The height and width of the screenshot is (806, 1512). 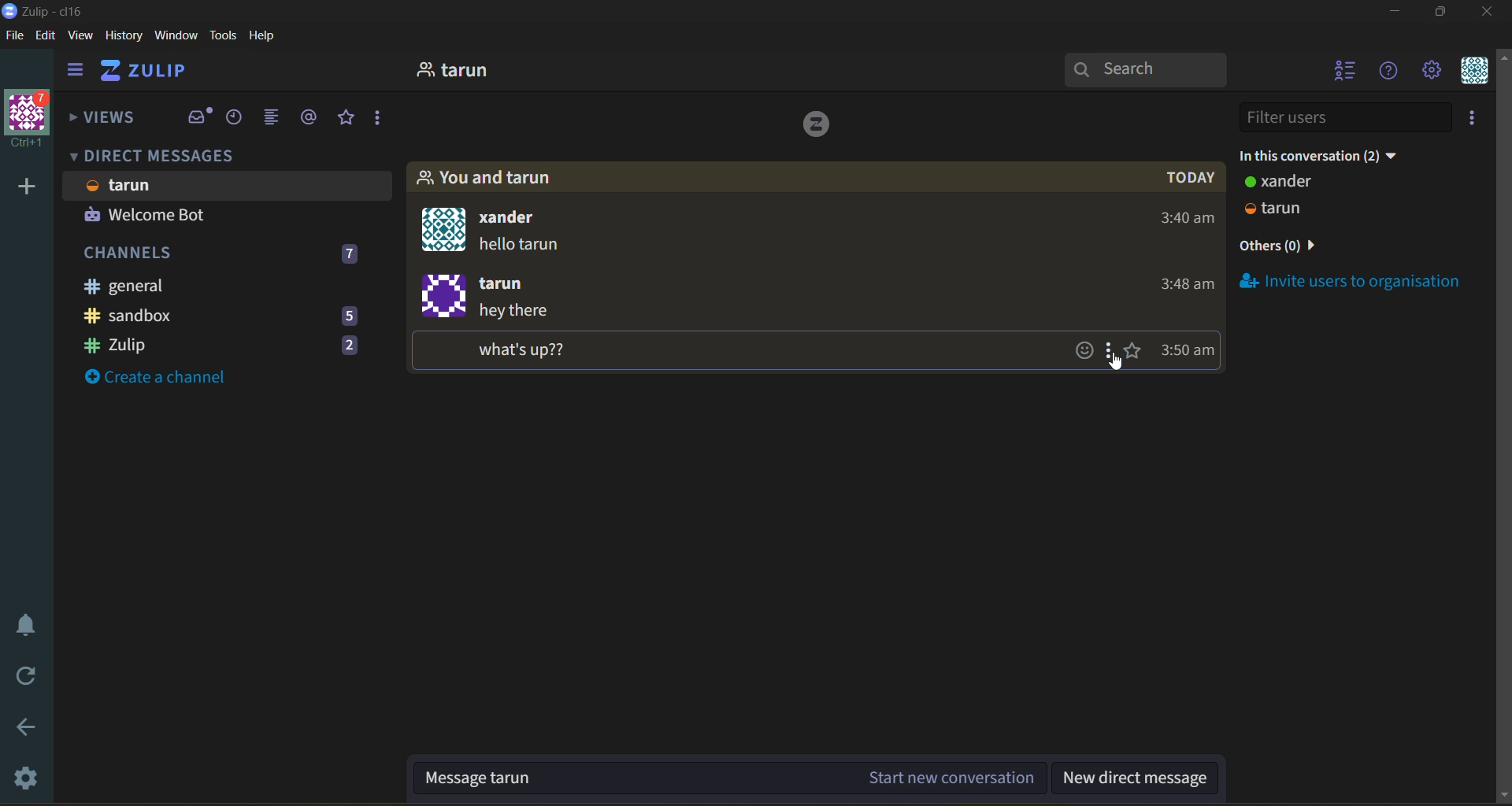 I want to click on invite users to organisation, so click(x=1469, y=117).